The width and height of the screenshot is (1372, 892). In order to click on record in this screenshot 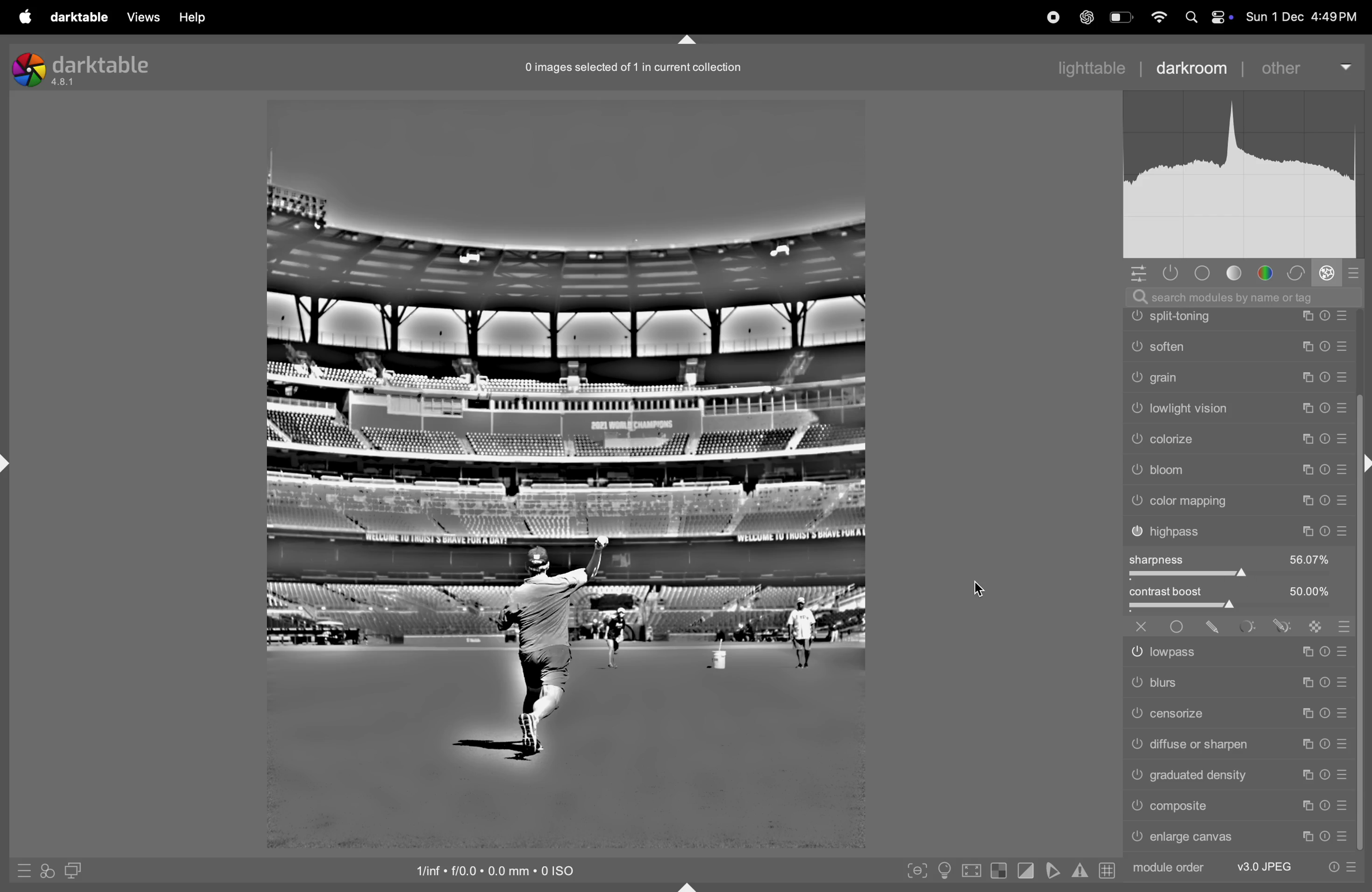, I will do `click(1007, 18)`.